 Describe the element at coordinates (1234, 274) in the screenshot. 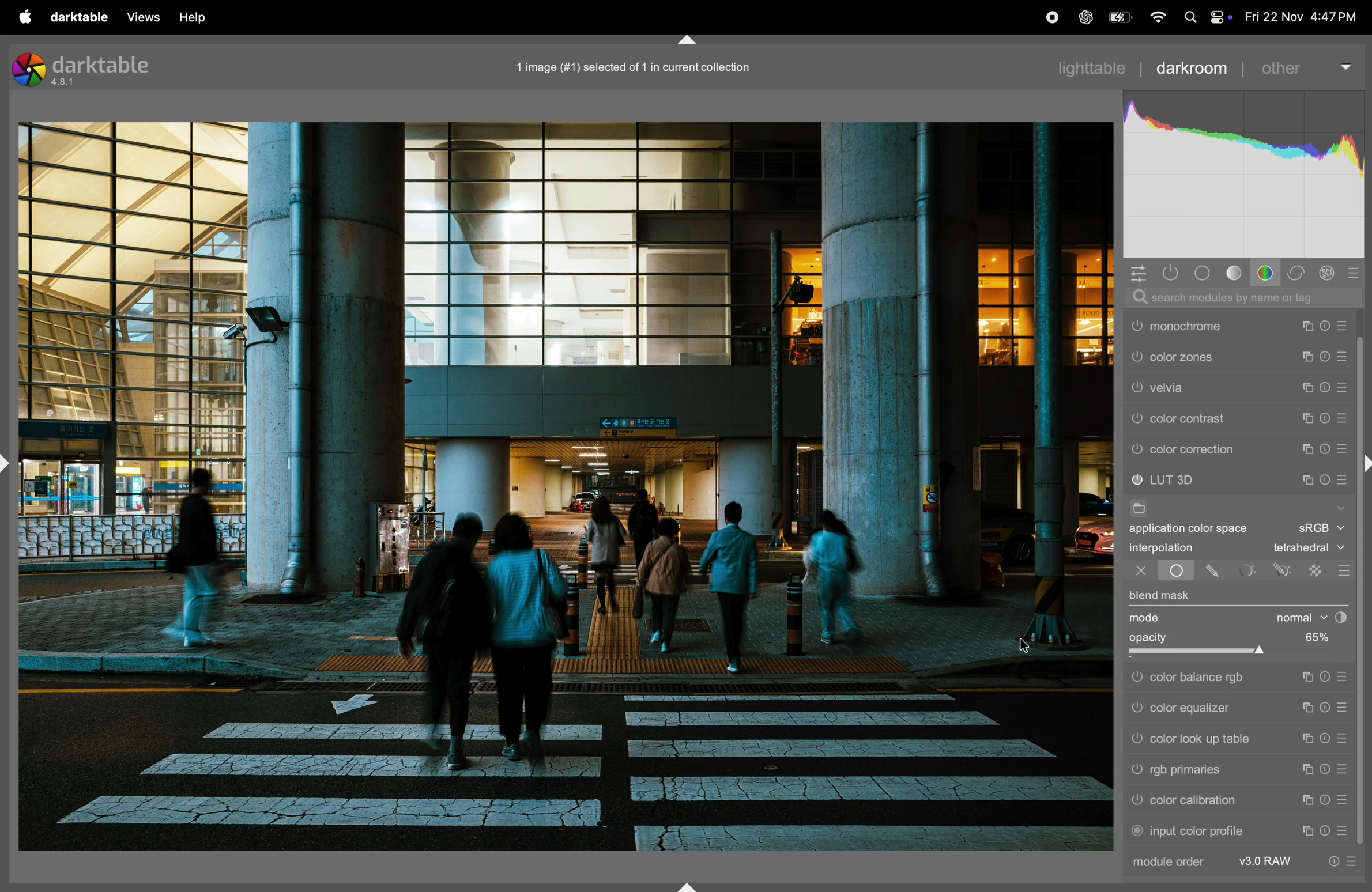

I see `tone` at that location.